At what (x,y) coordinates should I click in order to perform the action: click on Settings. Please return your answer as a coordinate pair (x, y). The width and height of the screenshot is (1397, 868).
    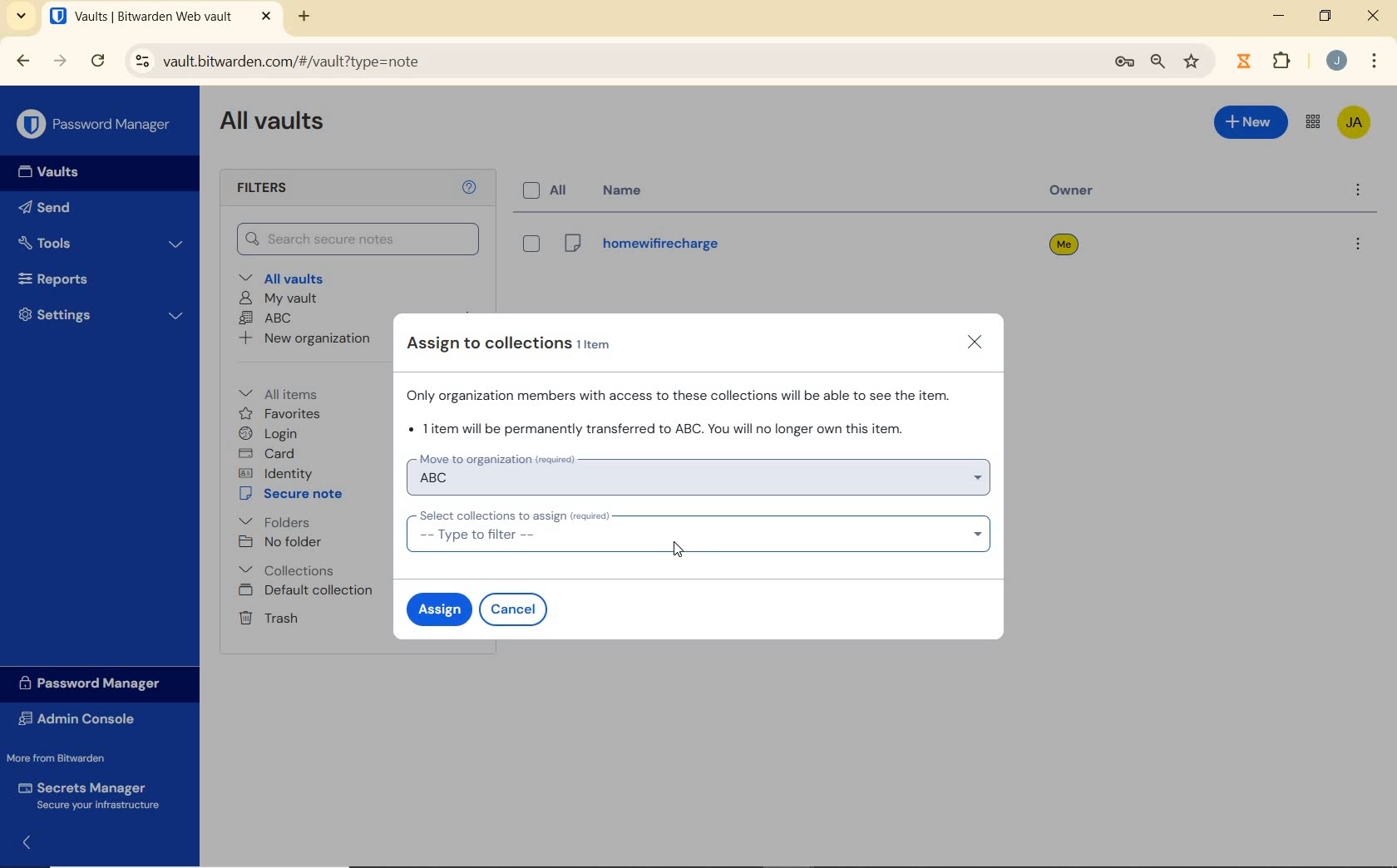
    Looking at the image, I should click on (99, 314).